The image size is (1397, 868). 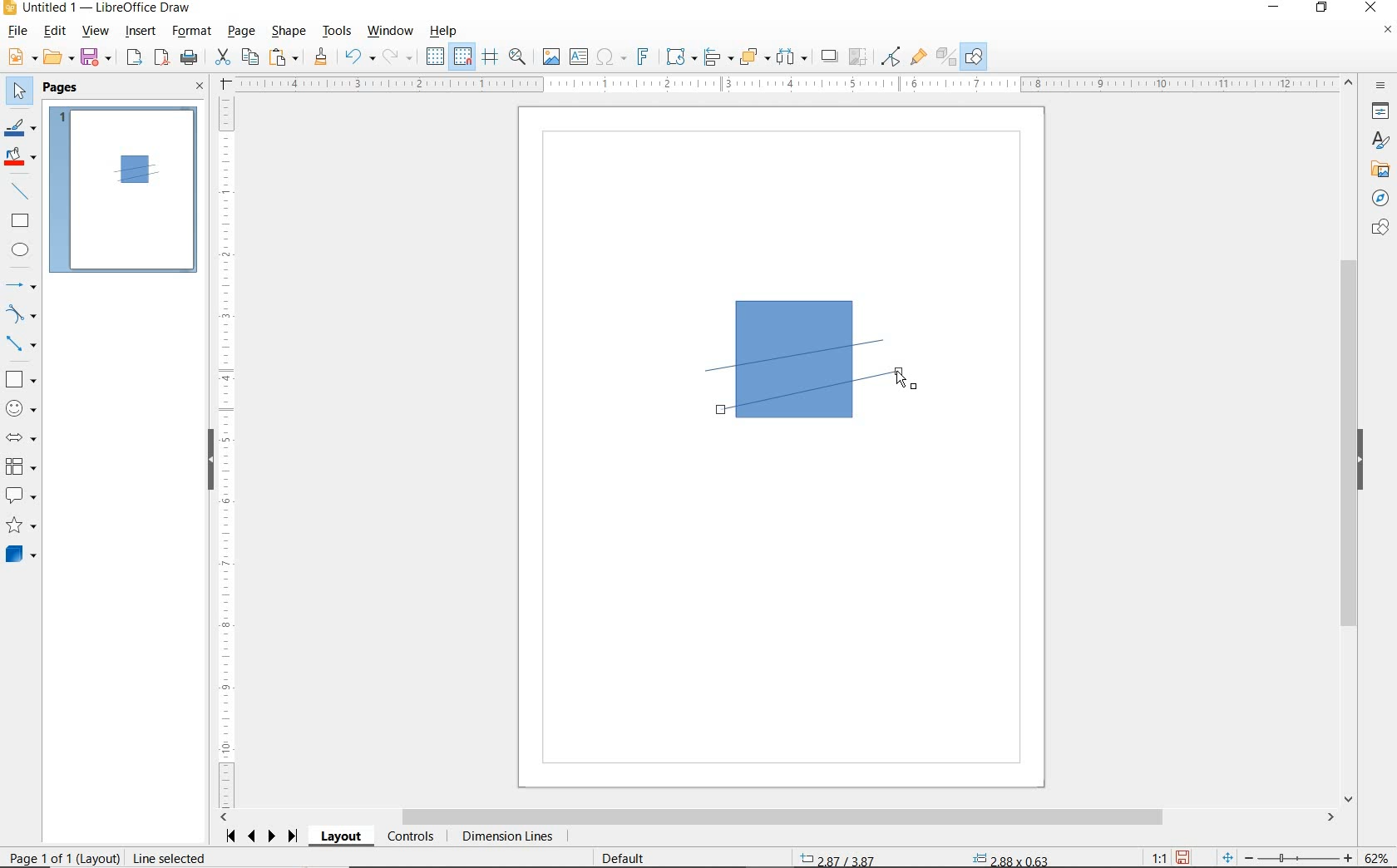 I want to click on TOGGLE POINT EDIT MODE, so click(x=892, y=58).